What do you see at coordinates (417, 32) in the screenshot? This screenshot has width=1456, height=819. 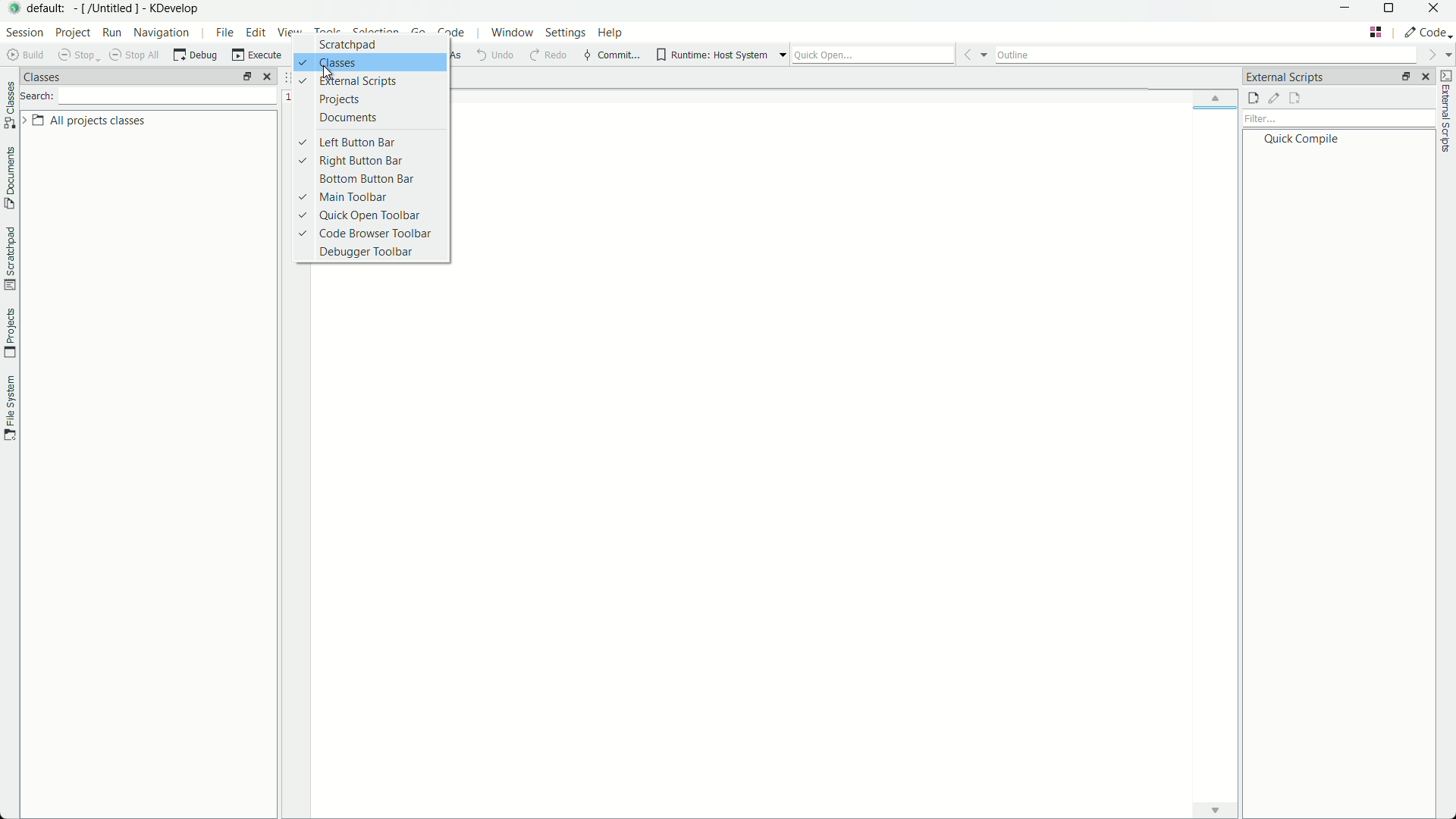 I see `go menu` at bounding box center [417, 32].